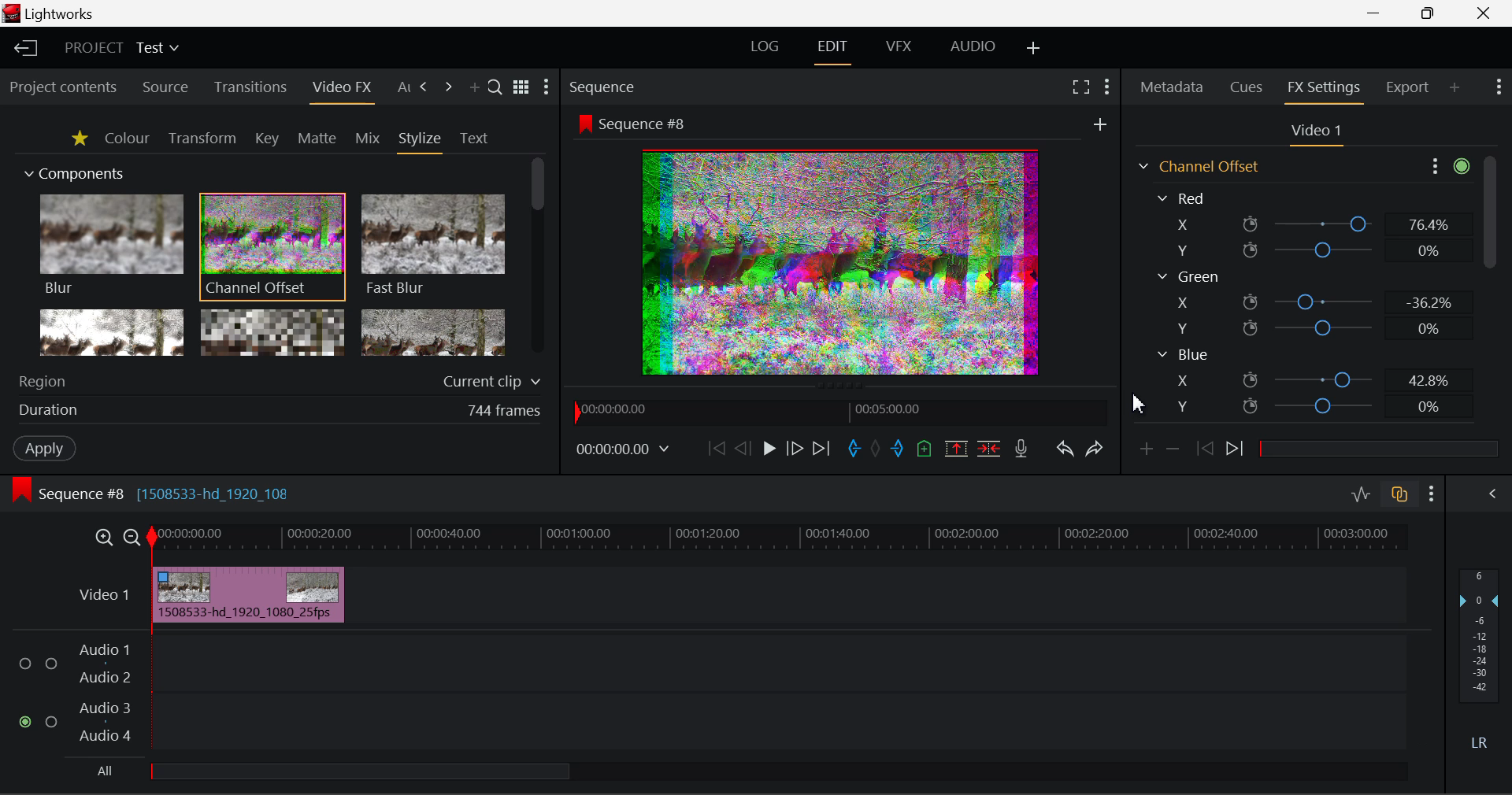  What do you see at coordinates (959, 449) in the screenshot?
I see `Remove marked Section` at bounding box center [959, 449].